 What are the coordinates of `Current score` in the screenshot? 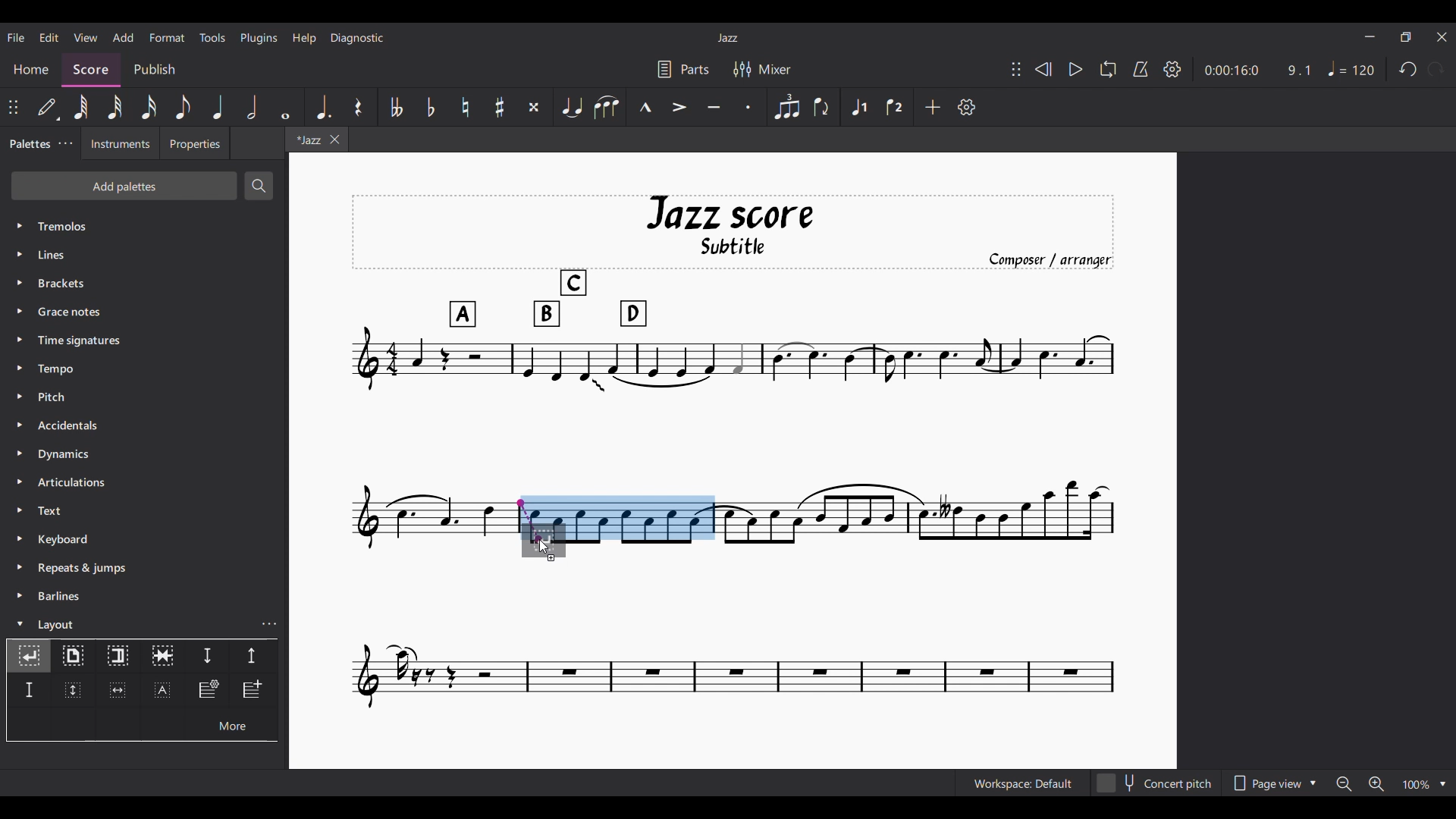 It's located at (734, 635).